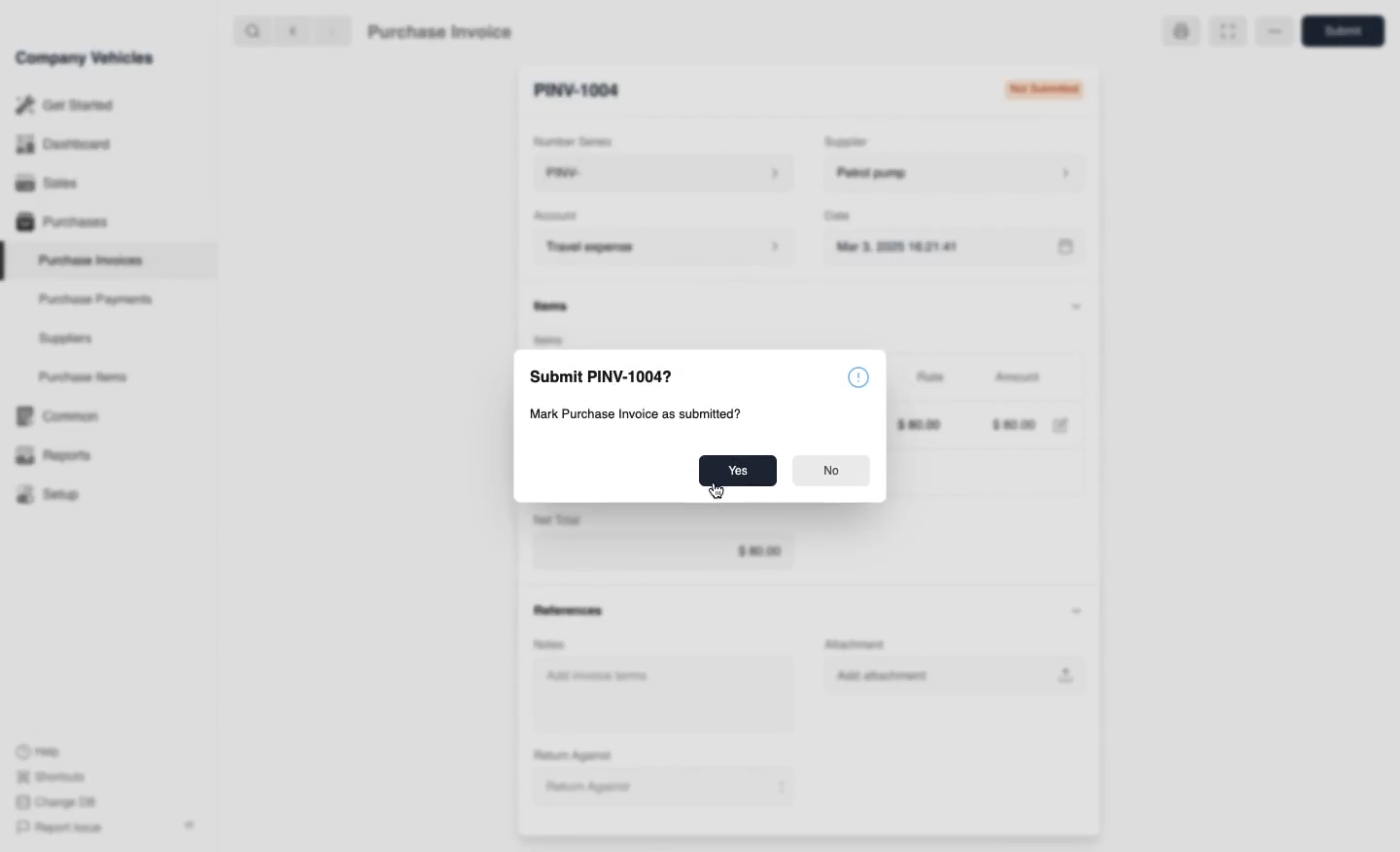  Describe the element at coordinates (739, 470) in the screenshot. I see `yes` at that location.